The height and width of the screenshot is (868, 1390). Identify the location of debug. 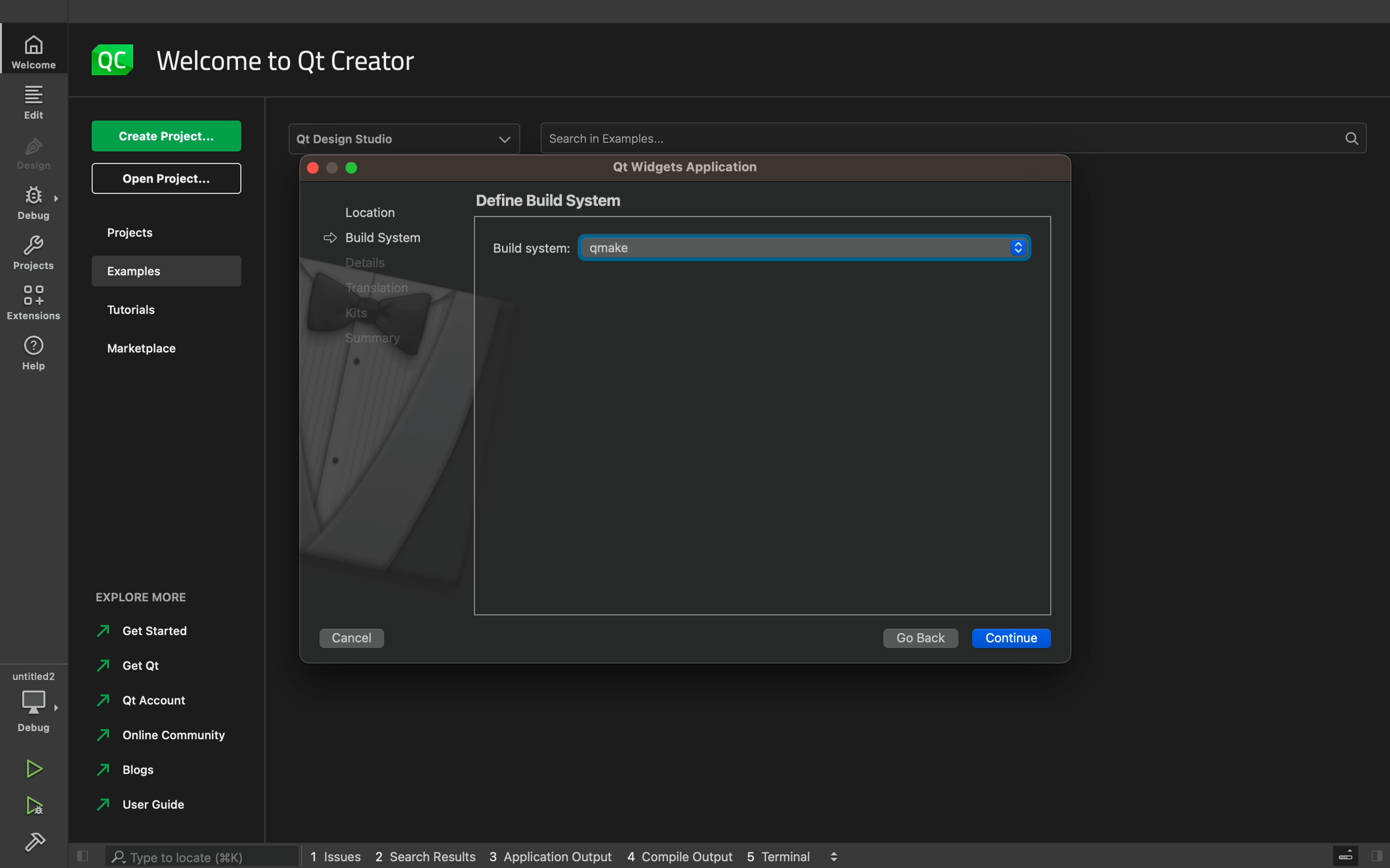
(33, 703).